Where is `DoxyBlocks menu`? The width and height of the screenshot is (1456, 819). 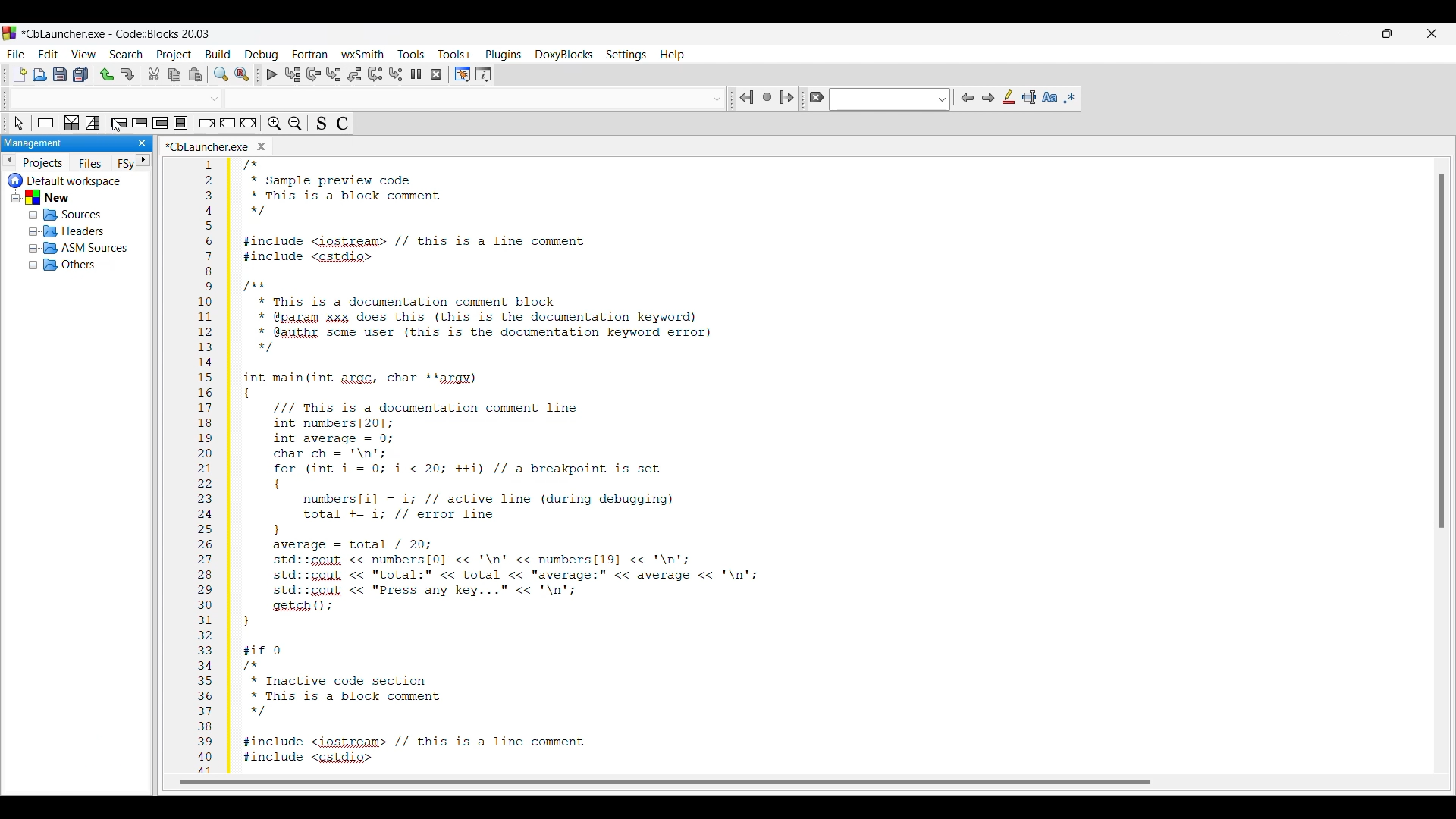 DoxyBlocks menu is located at coordinates (563, 55).